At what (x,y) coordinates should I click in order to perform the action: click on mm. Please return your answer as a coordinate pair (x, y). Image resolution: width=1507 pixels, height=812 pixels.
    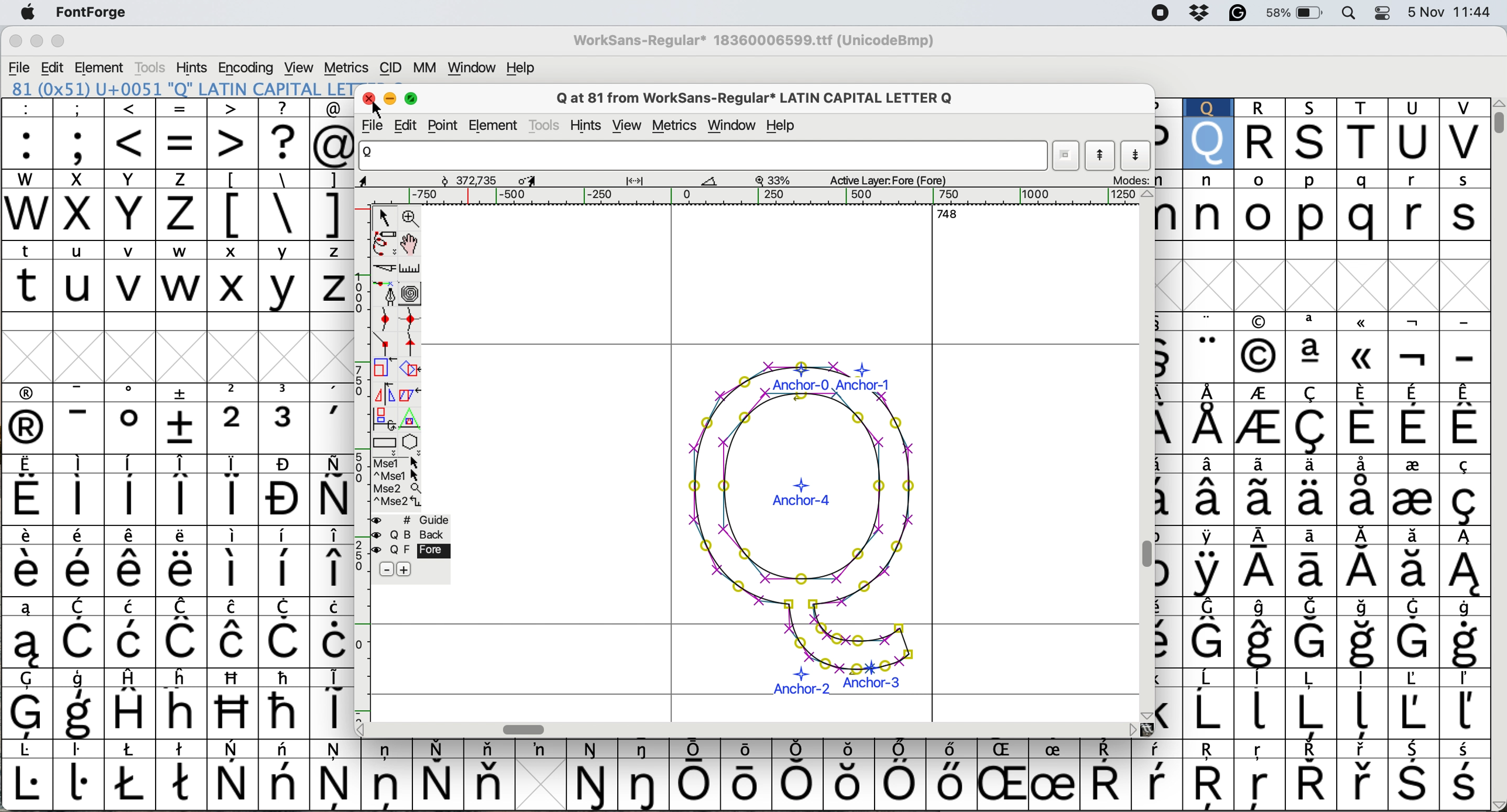
    Looking at the image, I should click on (422, 68).